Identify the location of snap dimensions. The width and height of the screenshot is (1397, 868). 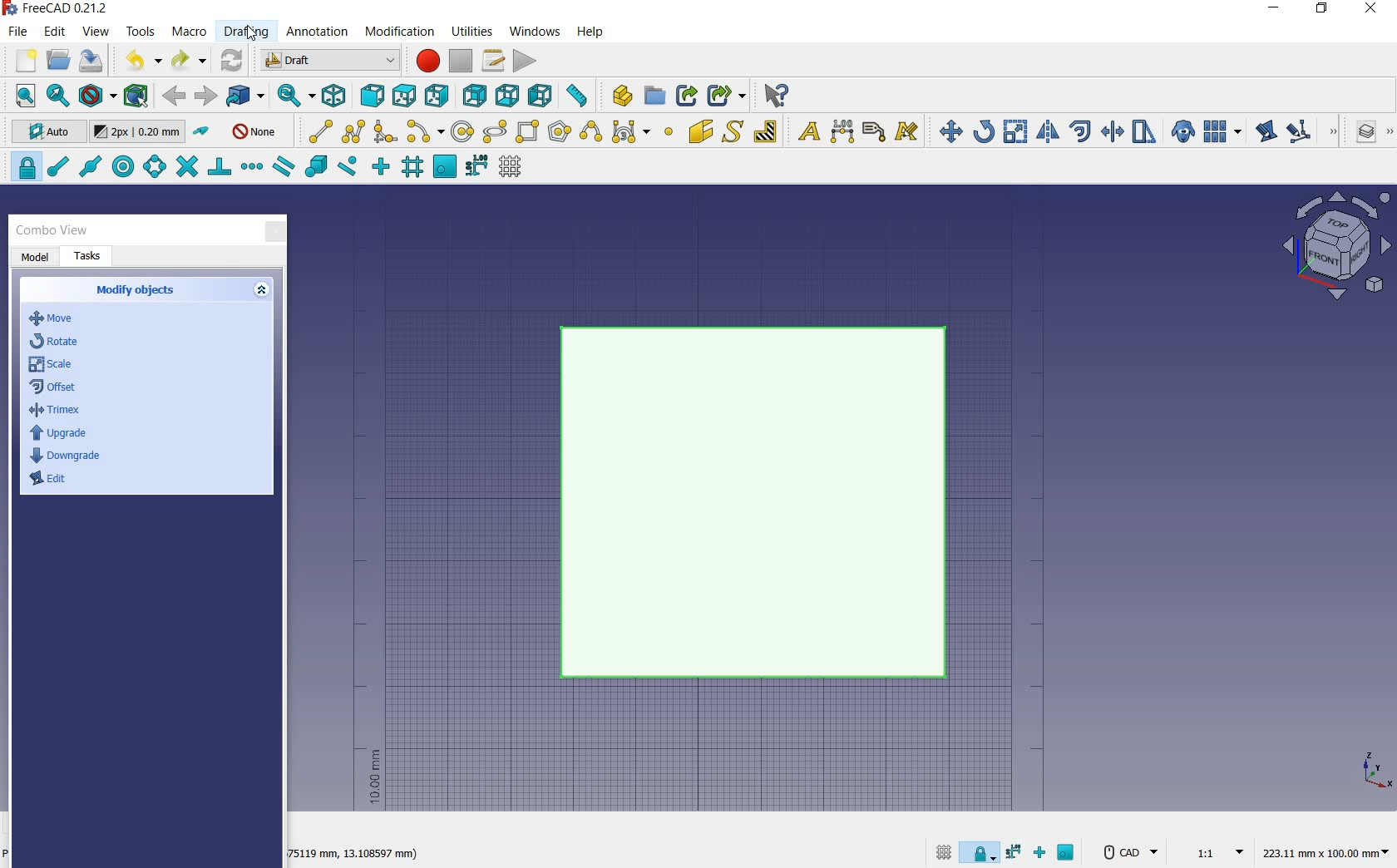
(476, 166).